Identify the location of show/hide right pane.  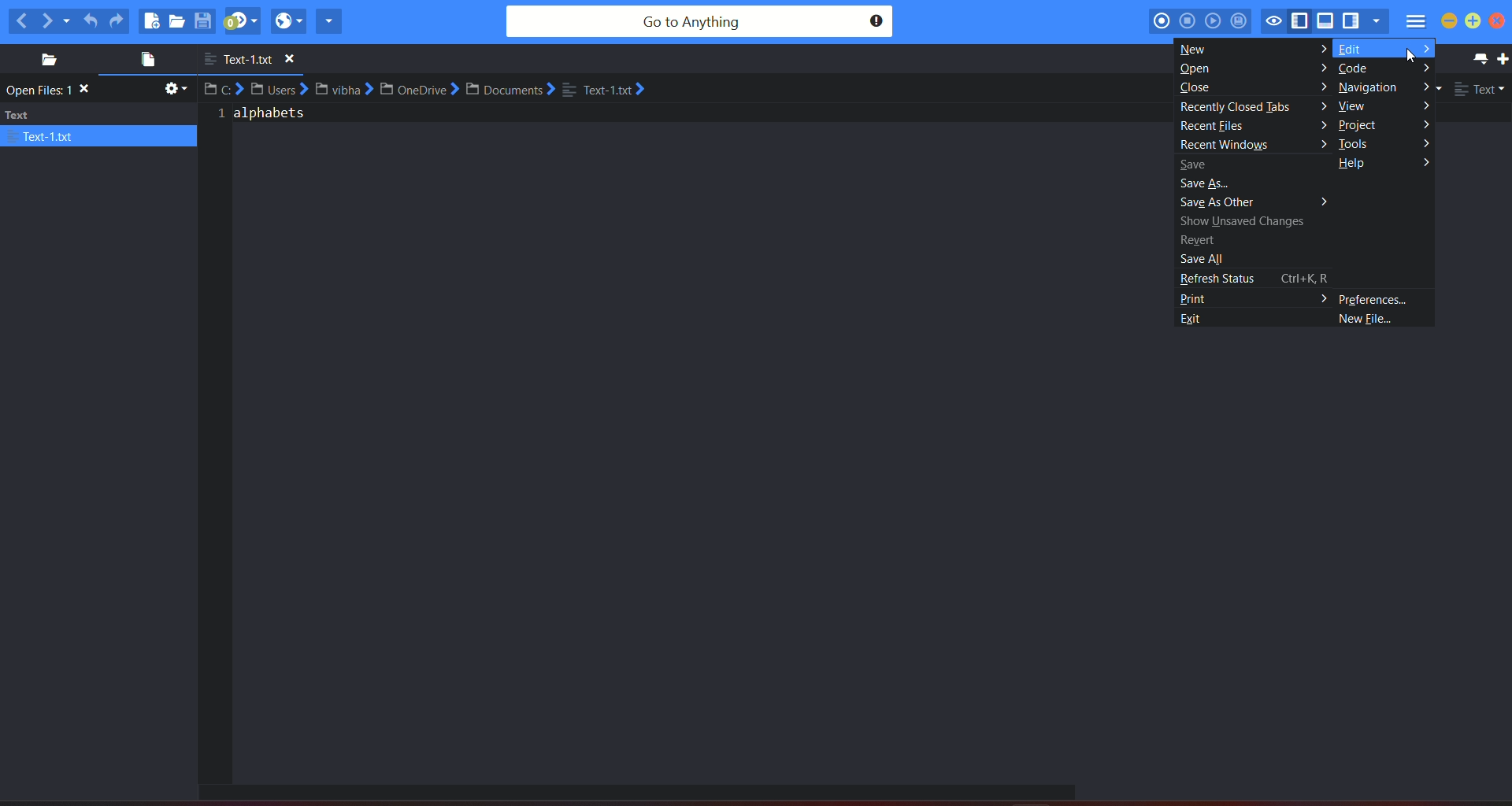
(1351, 23).